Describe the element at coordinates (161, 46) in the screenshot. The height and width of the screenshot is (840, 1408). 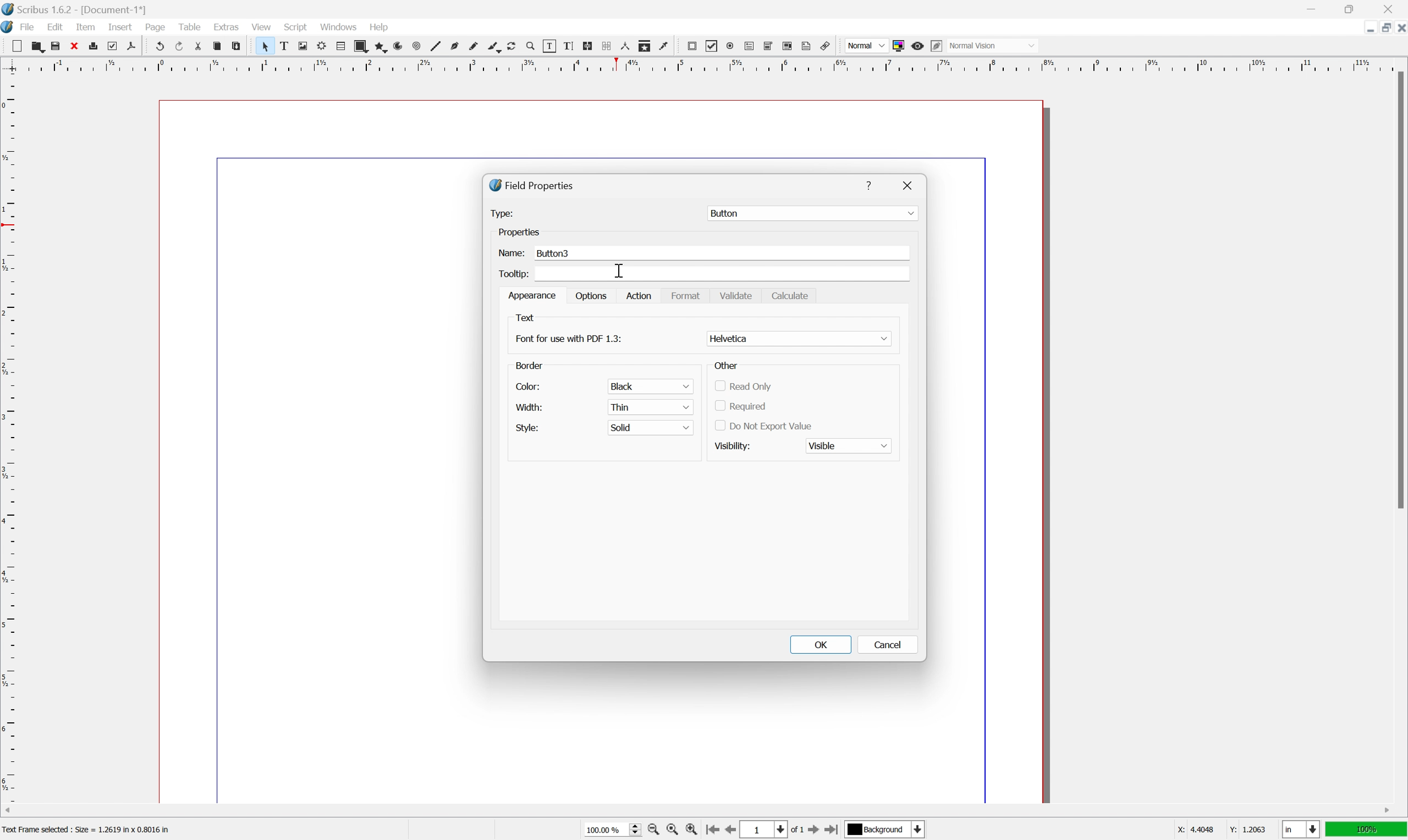
I see `undo` at that location.